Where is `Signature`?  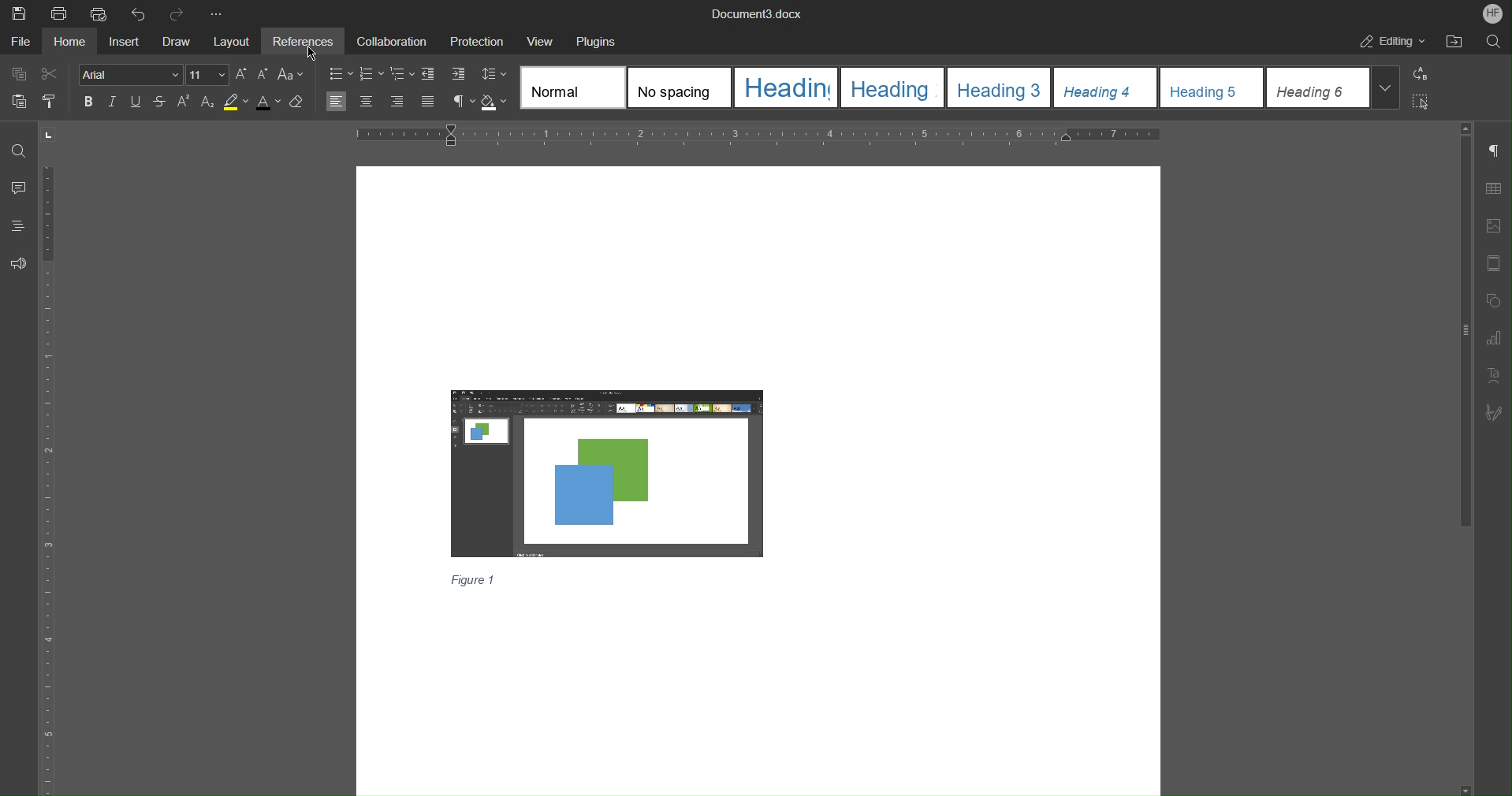
Signature is located at coordinates (1496, 415).